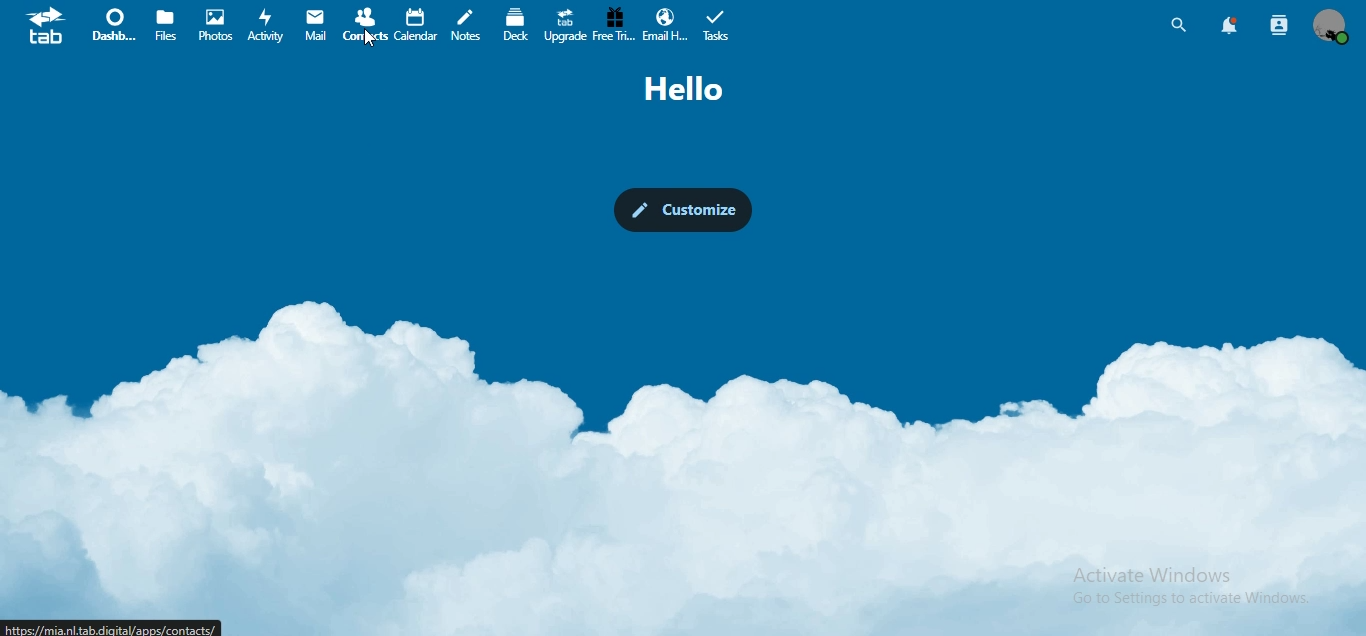 The image size is (1366, 636). Describe the element at coordinates (613, 24) in the screenshot. I see `free trial` at that location.